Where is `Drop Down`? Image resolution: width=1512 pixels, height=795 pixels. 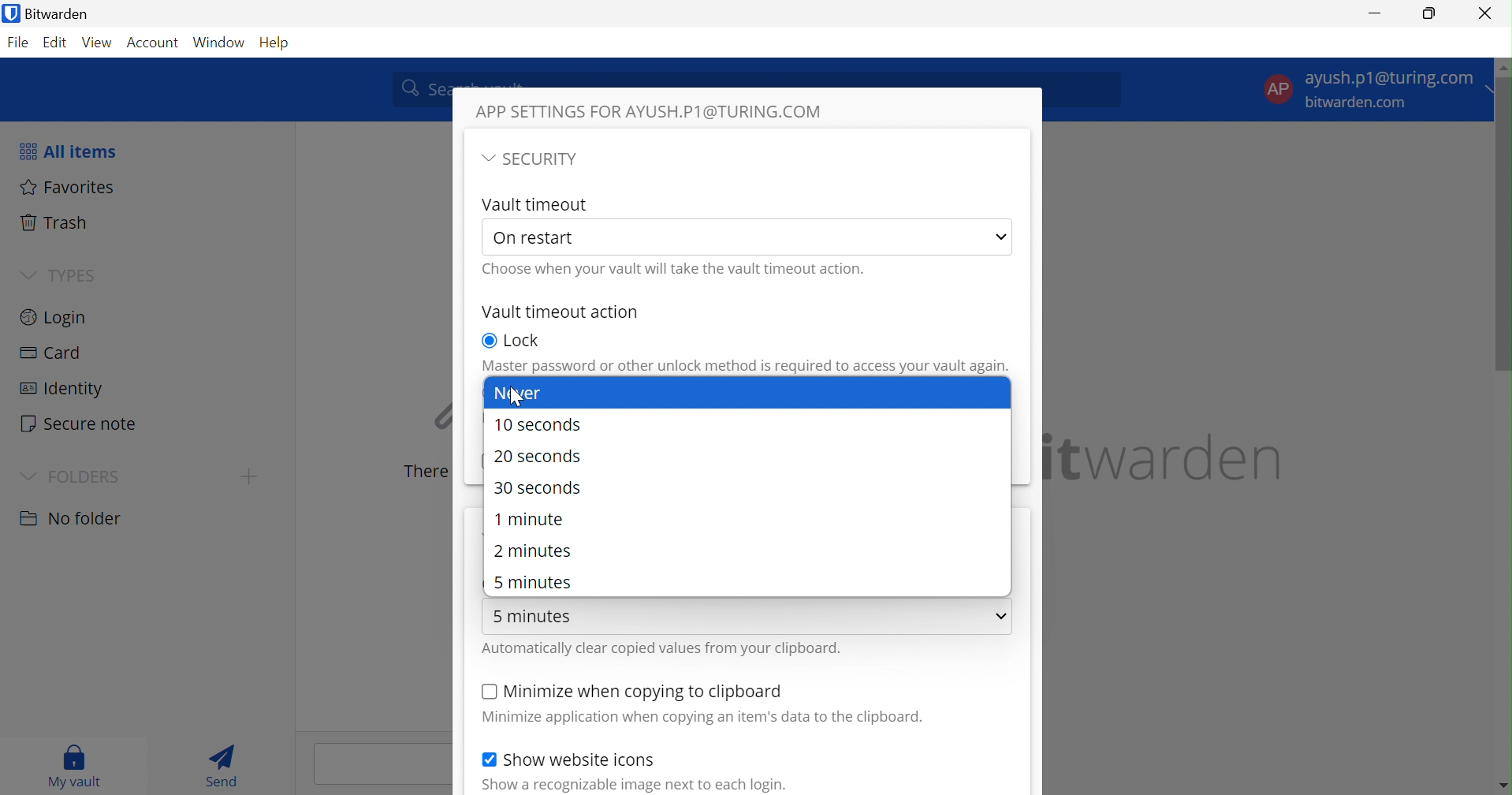 Drop Down is located at coordinates (1003, 237).